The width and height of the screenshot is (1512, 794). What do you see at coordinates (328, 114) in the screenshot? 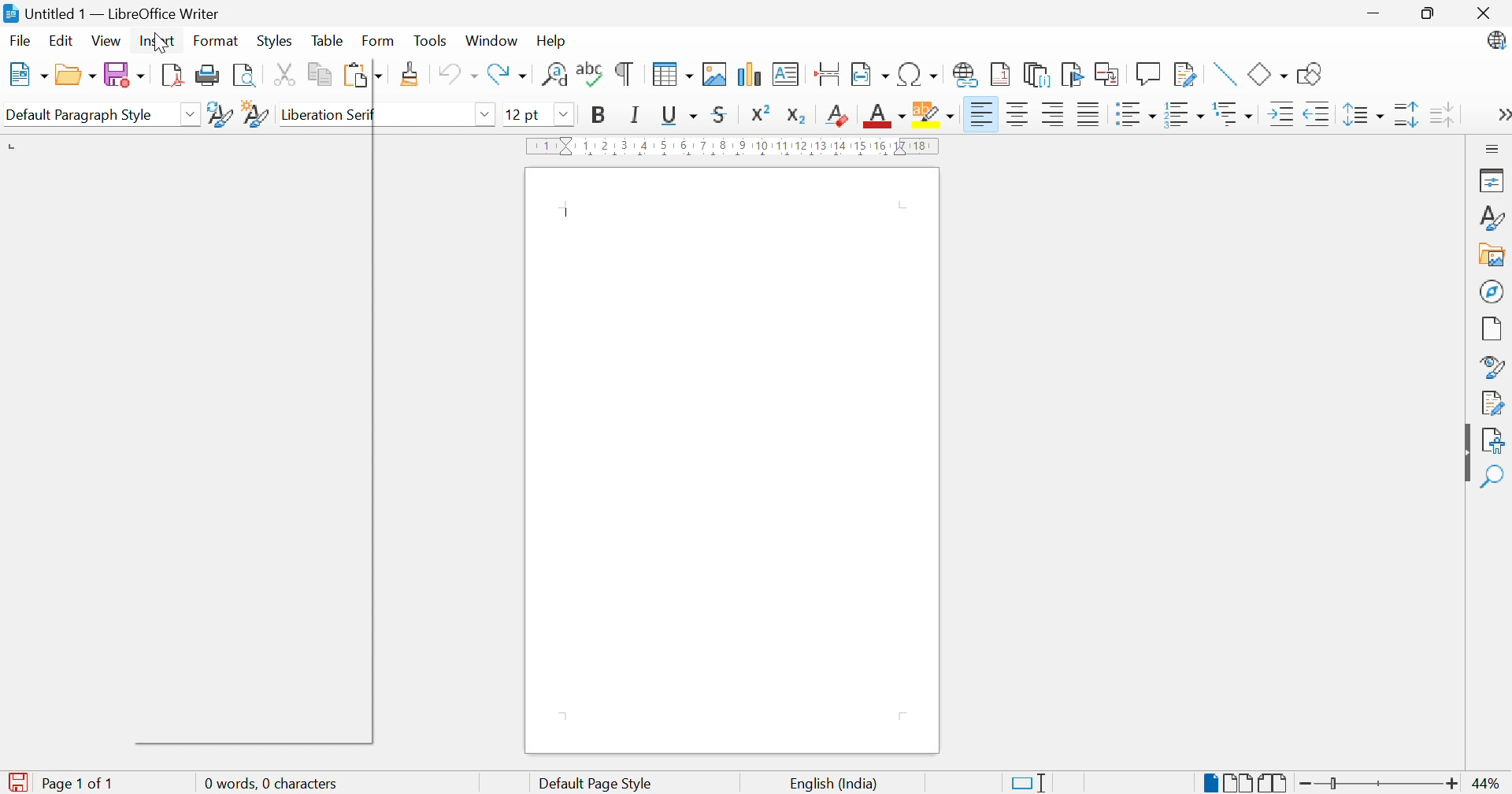
I see `Liberation serif` at bounding box center [328, 114].